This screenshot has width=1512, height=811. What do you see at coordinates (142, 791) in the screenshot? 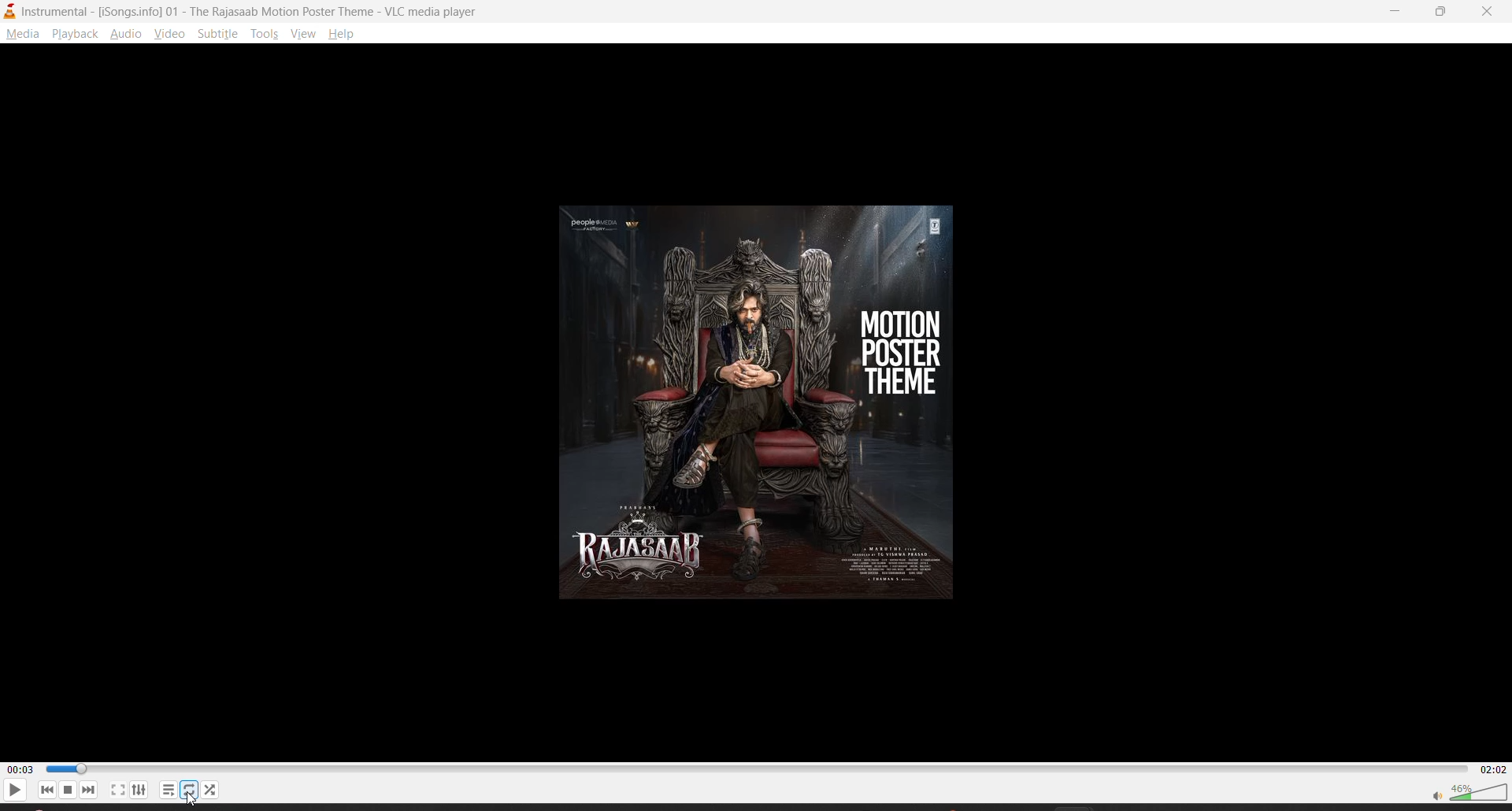
I see `settings` at bounding box center [142, 791].